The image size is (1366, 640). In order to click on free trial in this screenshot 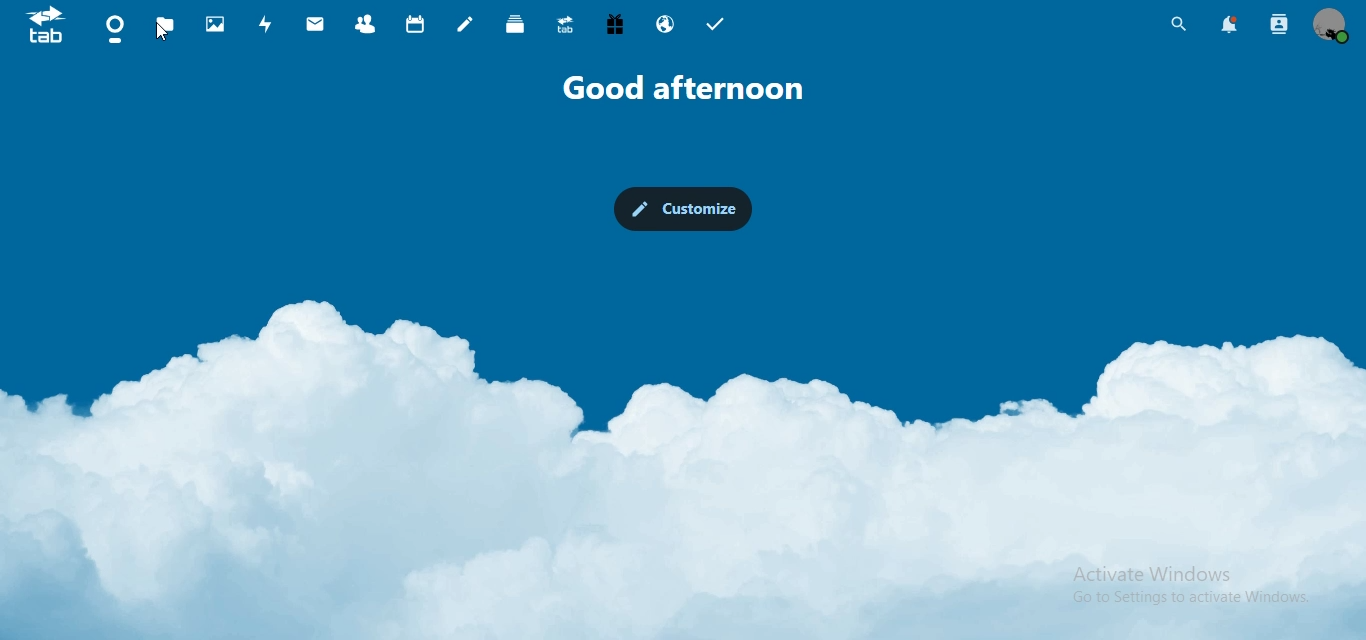, I will do `click(616, 24)`.